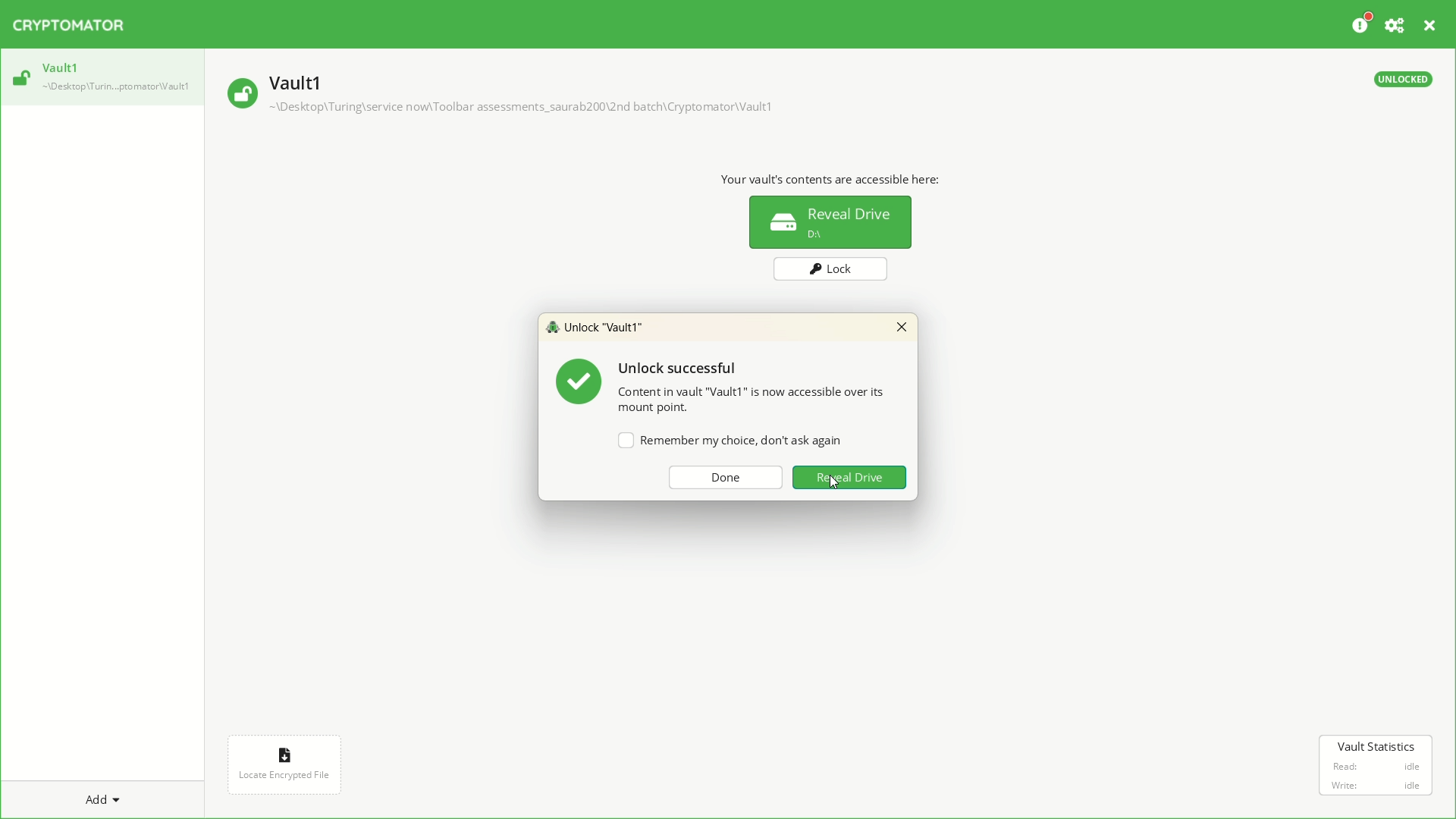  Describe the element at coordinates (832, 177) in the screenshot. I see `Your vault's contents are accessible here:` at that location.